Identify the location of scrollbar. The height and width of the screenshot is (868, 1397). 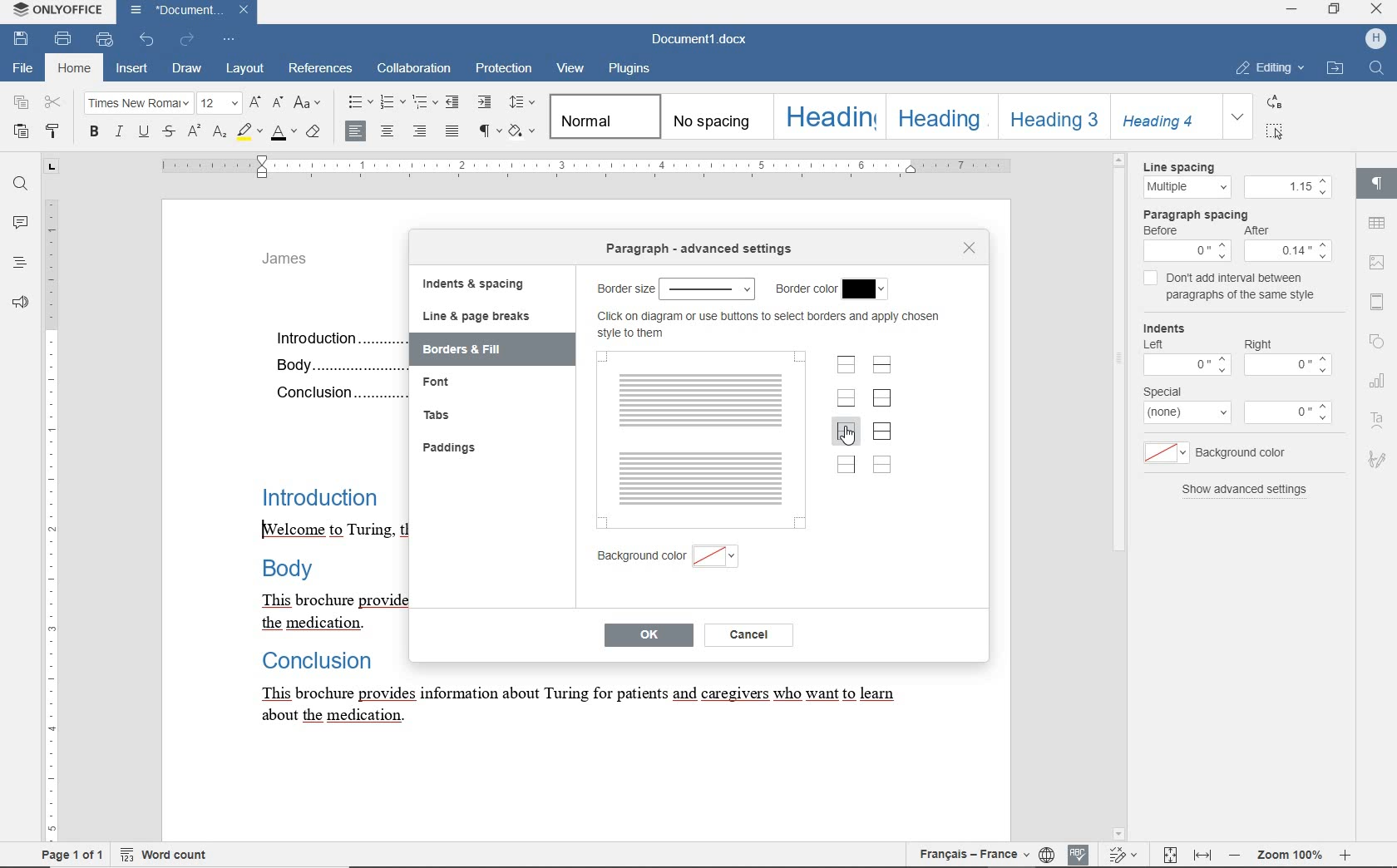
(1348, 495).